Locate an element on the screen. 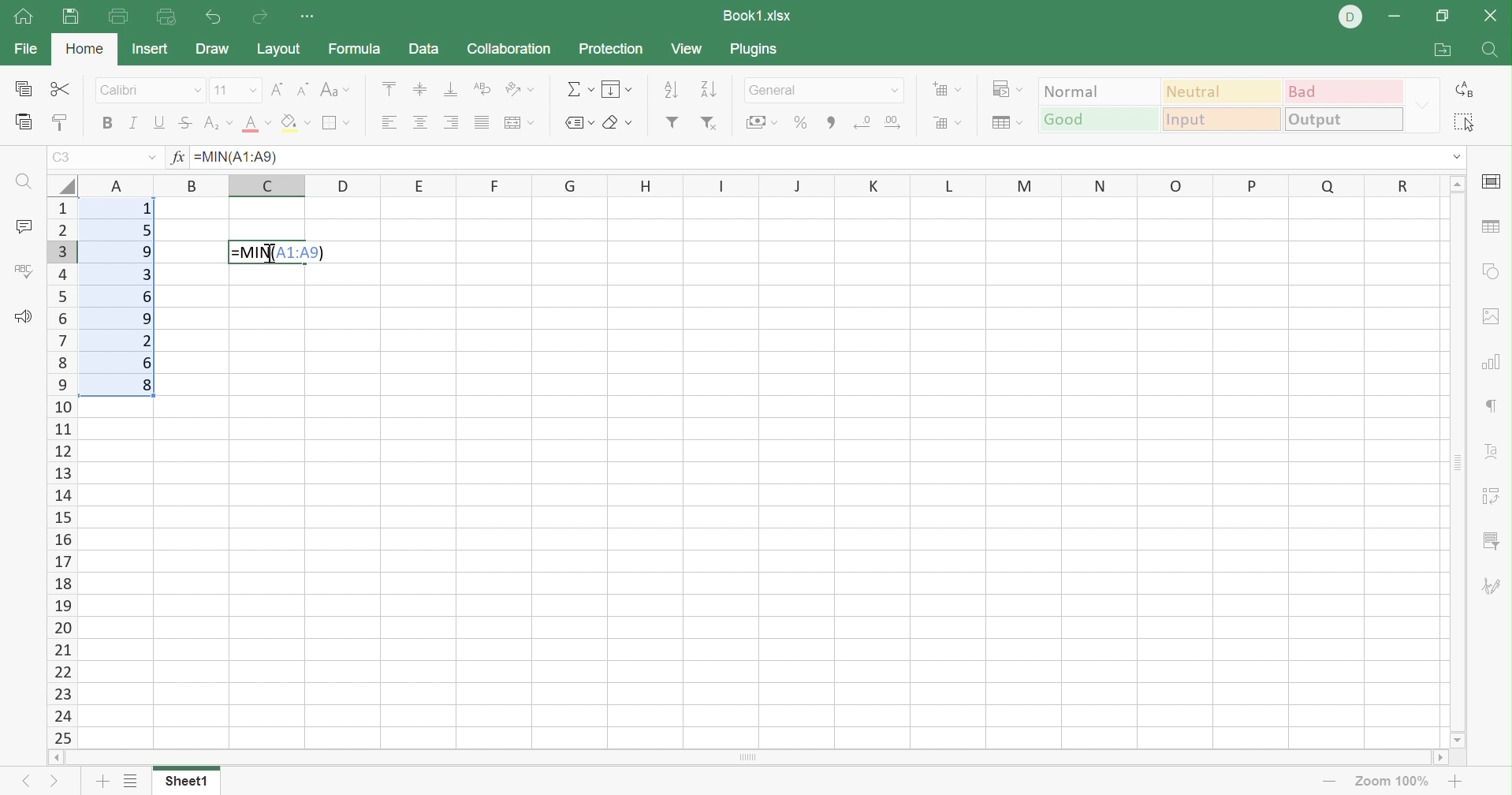  2 is located at coordinates (147, 341).